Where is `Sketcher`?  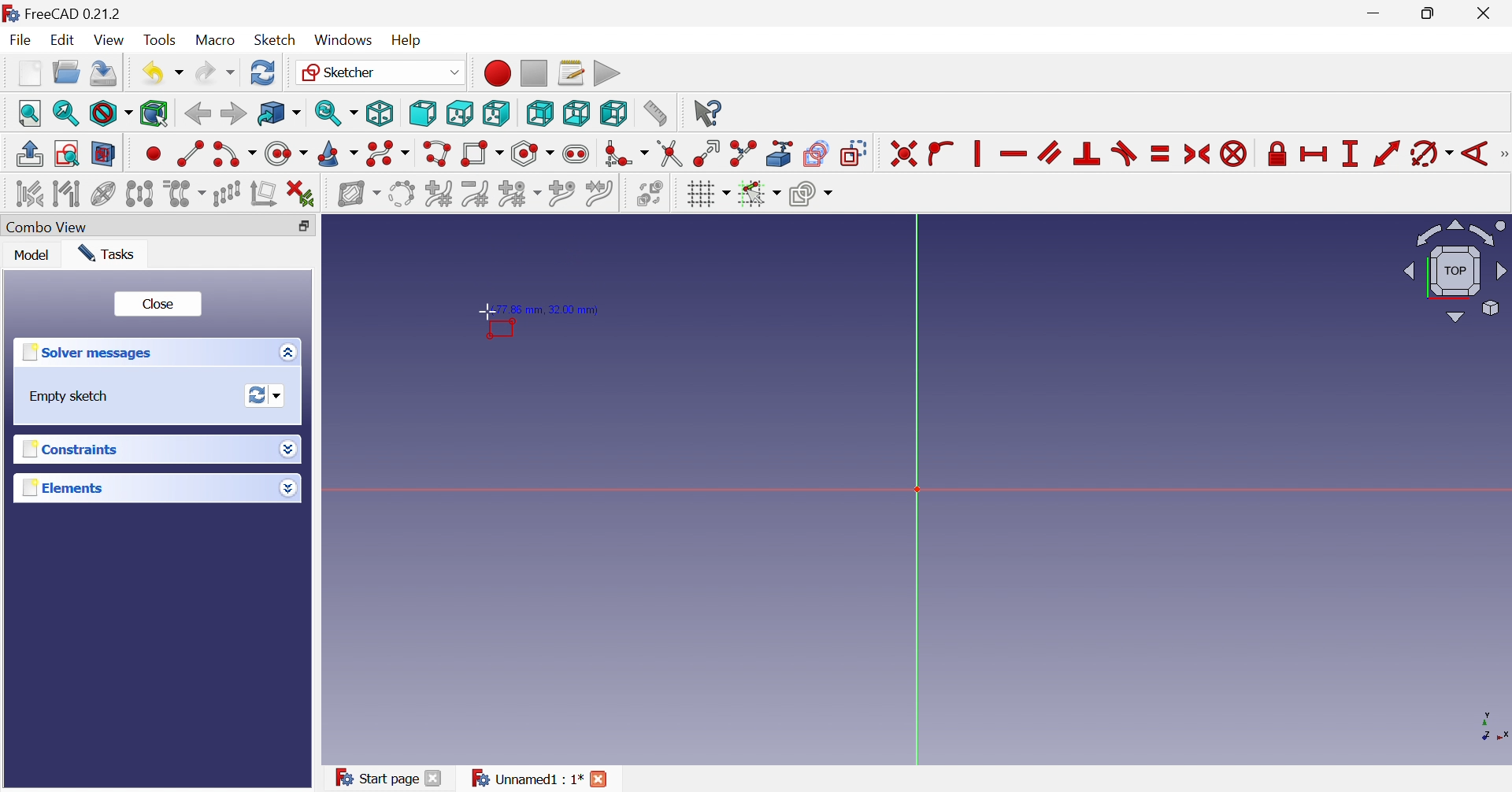 Sketcher is located at coordinates (379, 71).